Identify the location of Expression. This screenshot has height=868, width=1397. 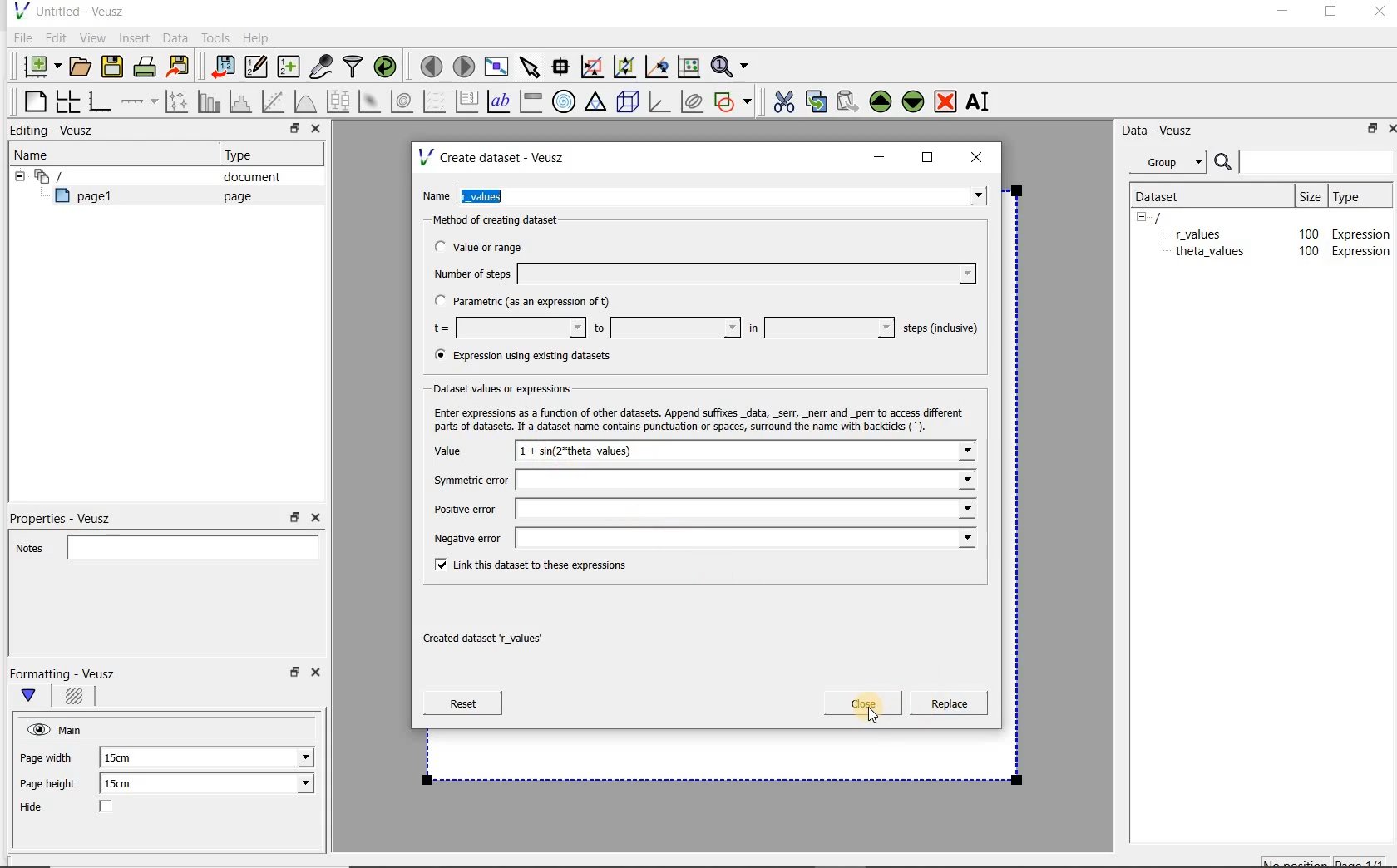
(1365, 251).